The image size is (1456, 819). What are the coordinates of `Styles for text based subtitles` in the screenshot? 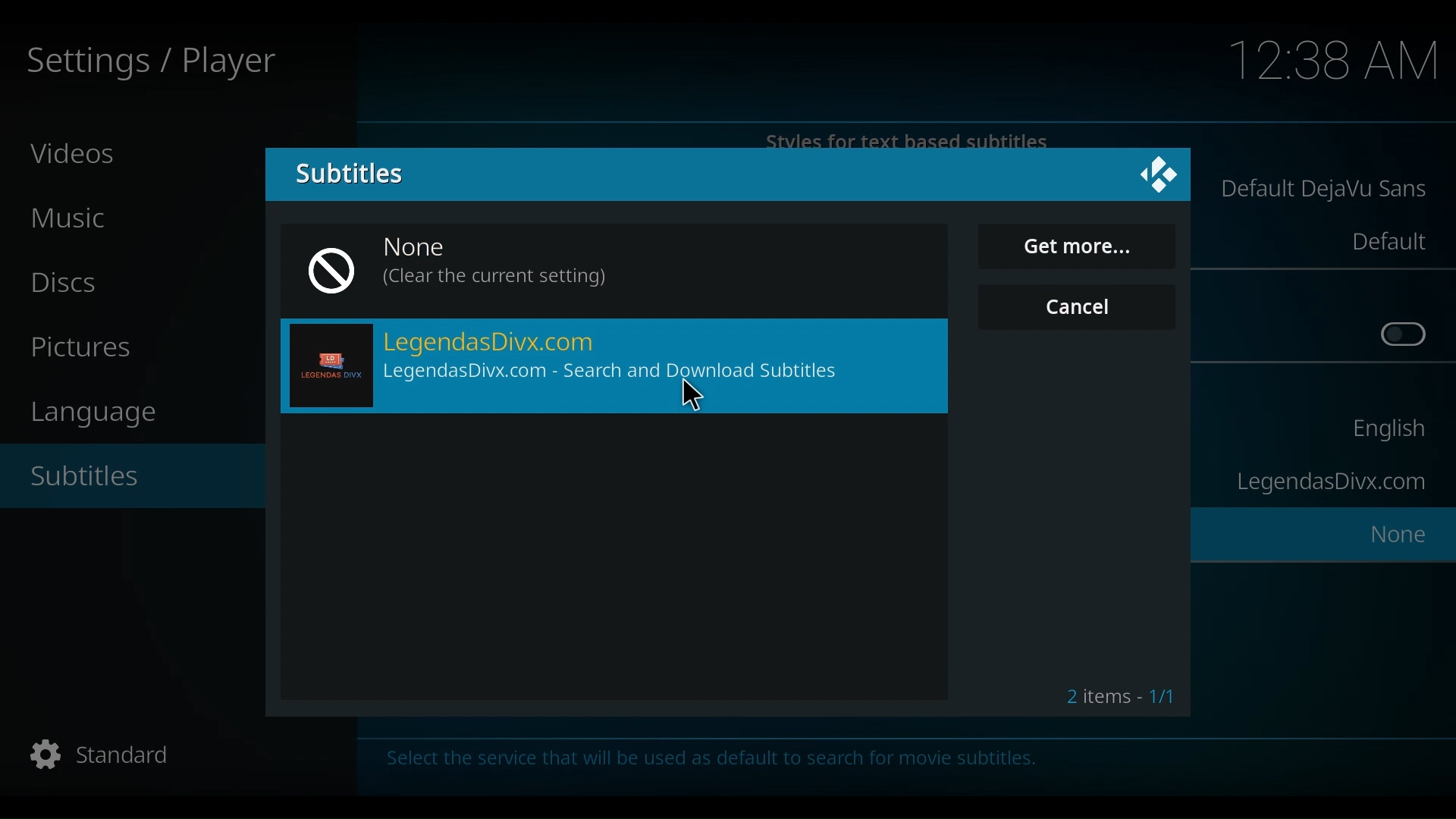 It's located at (918, 140).